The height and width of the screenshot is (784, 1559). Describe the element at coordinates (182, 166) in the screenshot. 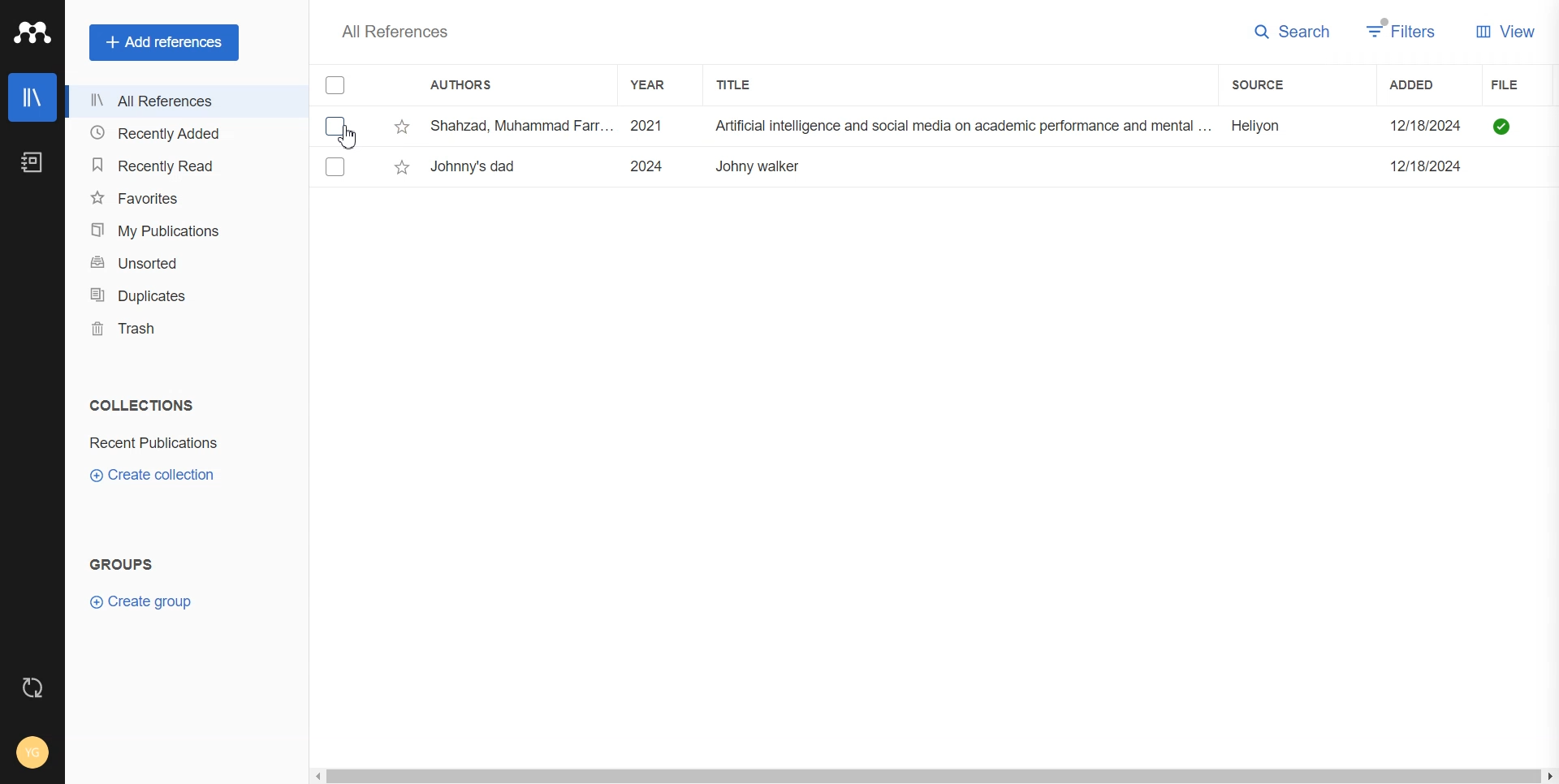

I see `Recently Read` at that location.